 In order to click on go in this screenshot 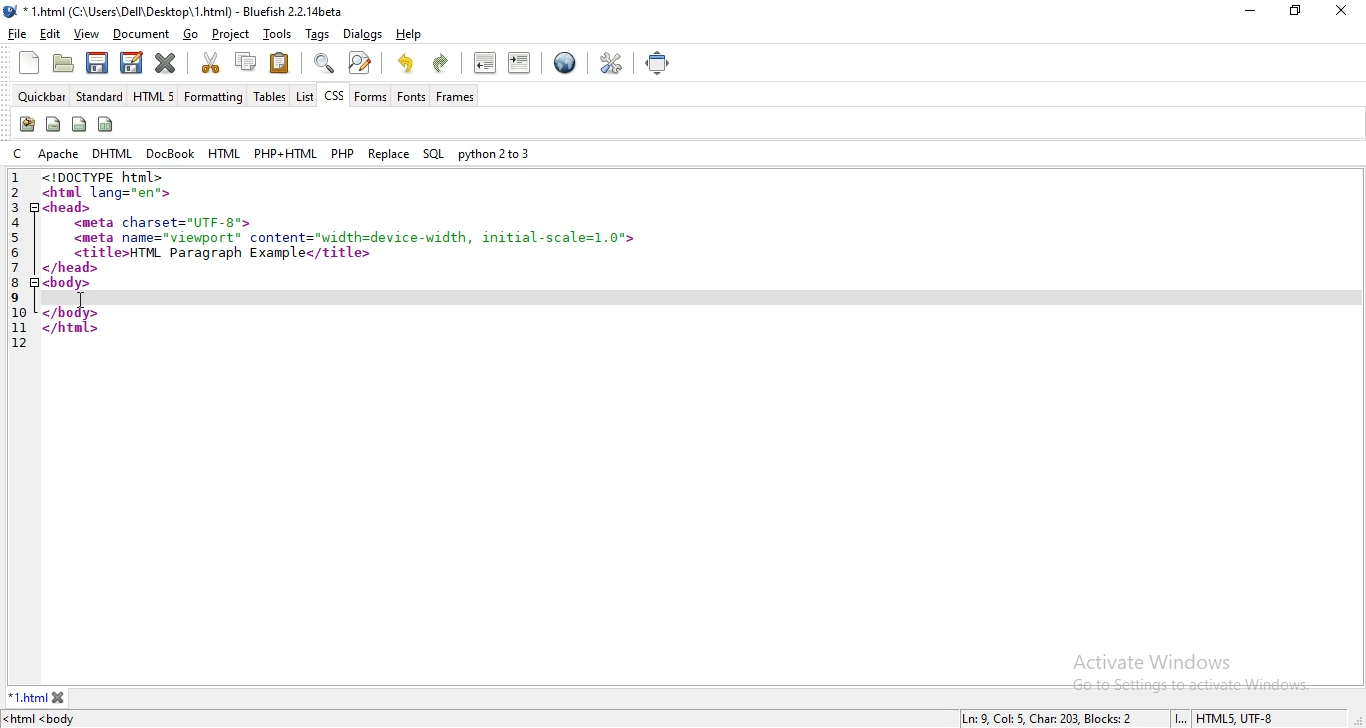, I will do `click(192, 34)`.